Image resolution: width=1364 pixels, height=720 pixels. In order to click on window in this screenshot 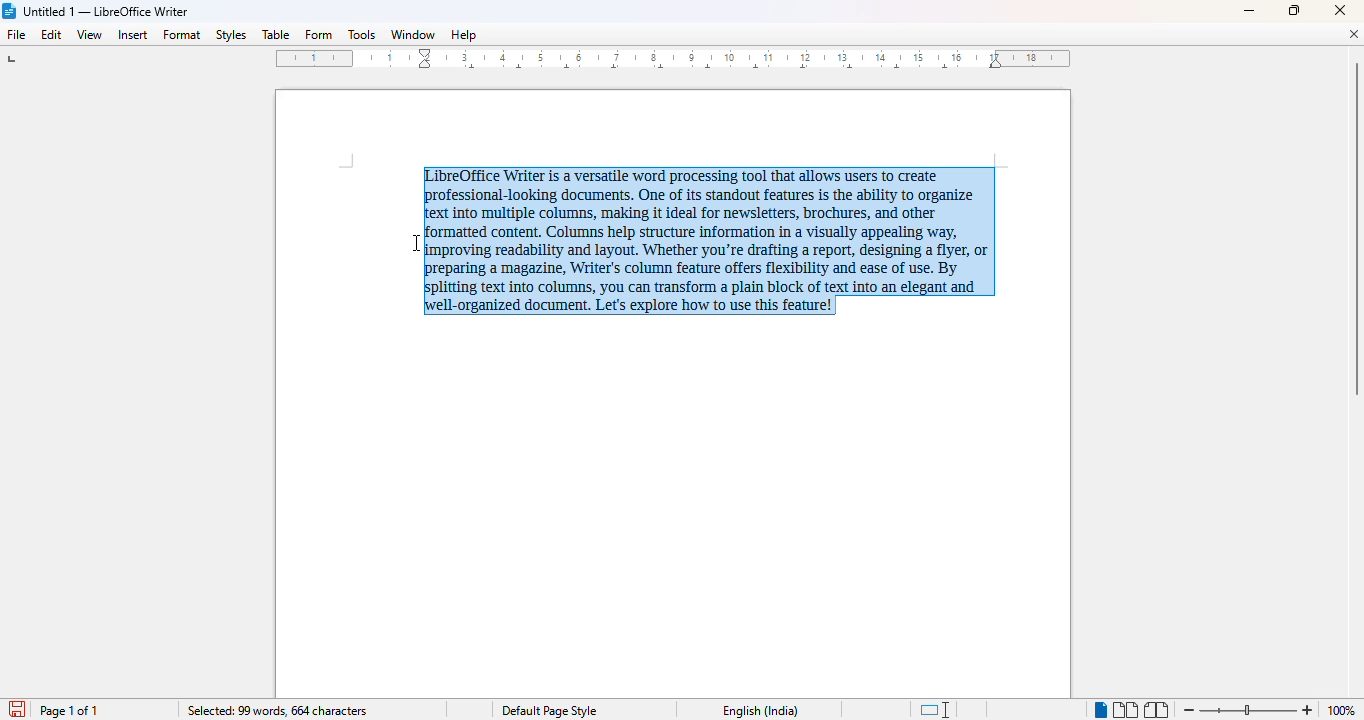, I will do `click(413, 34)`.